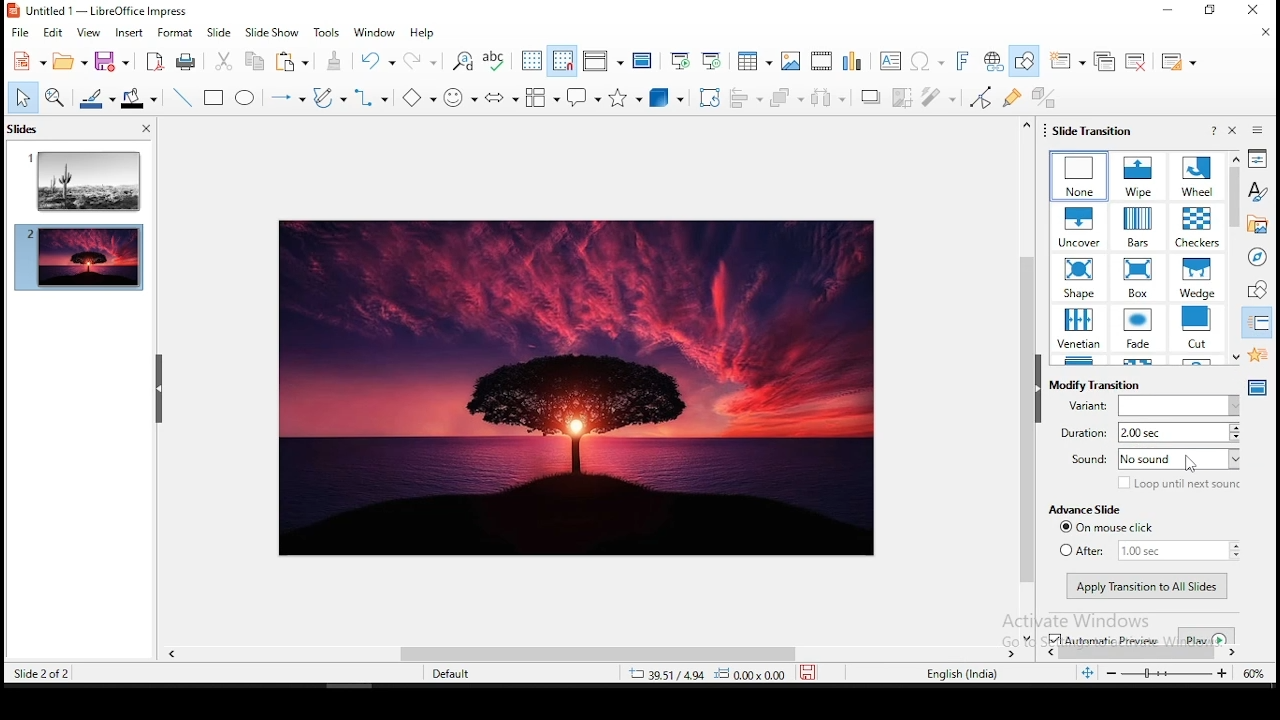 The image size is (1280, 720). I want to click on styles, so click(1257, 194).